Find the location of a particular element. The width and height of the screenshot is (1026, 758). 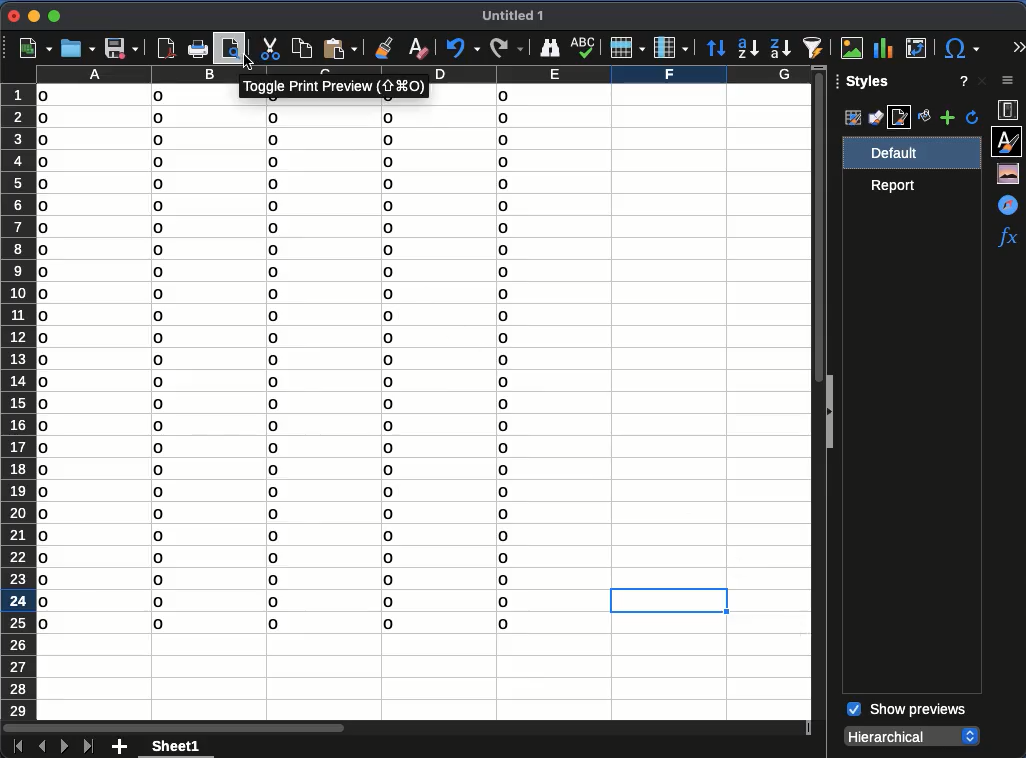

cell styles is located at coordinates (850, 118).